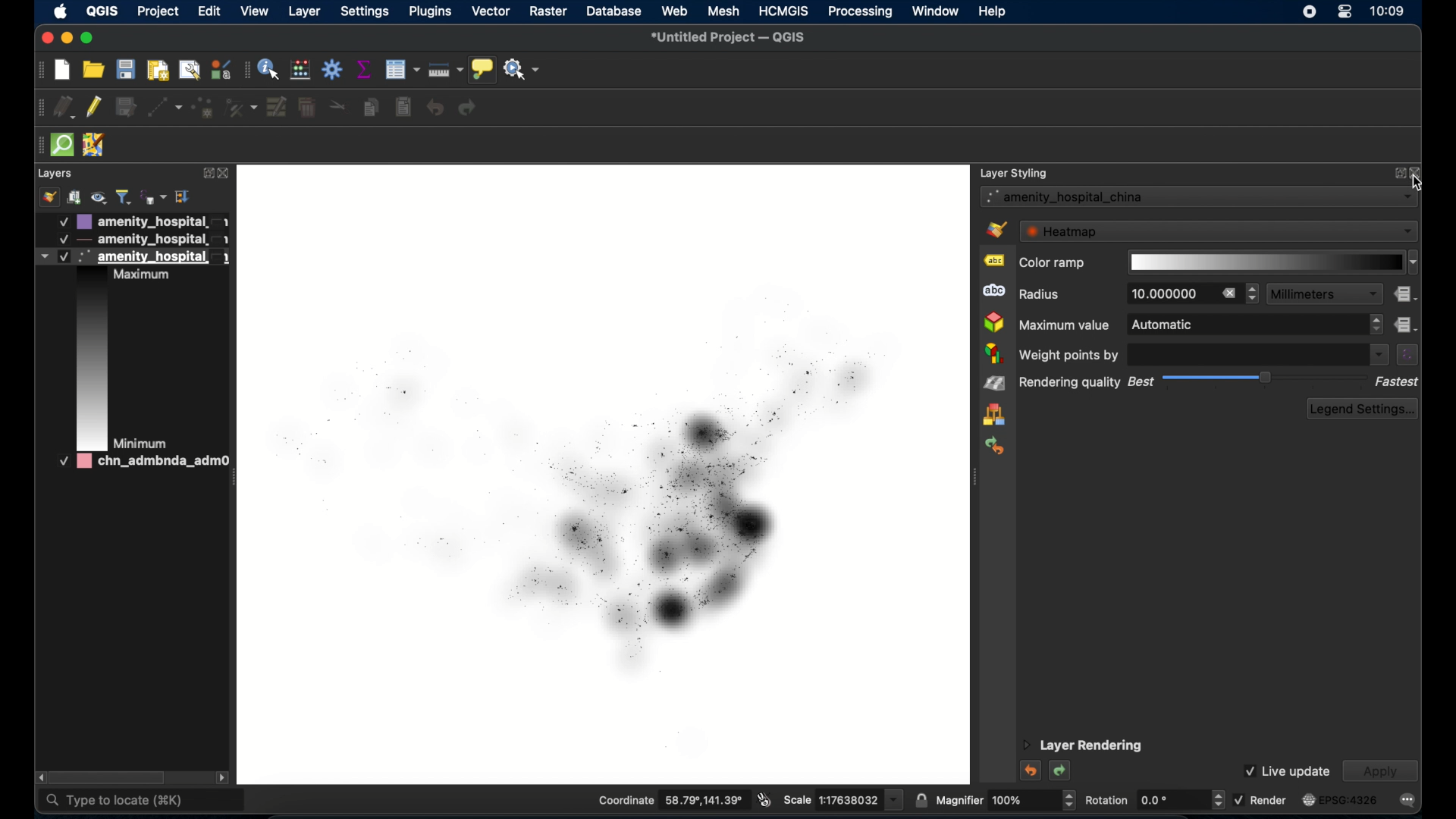 The width and height of the screenshot is (1456, 819). I want to click on layer rendering, so click(1082, 746).